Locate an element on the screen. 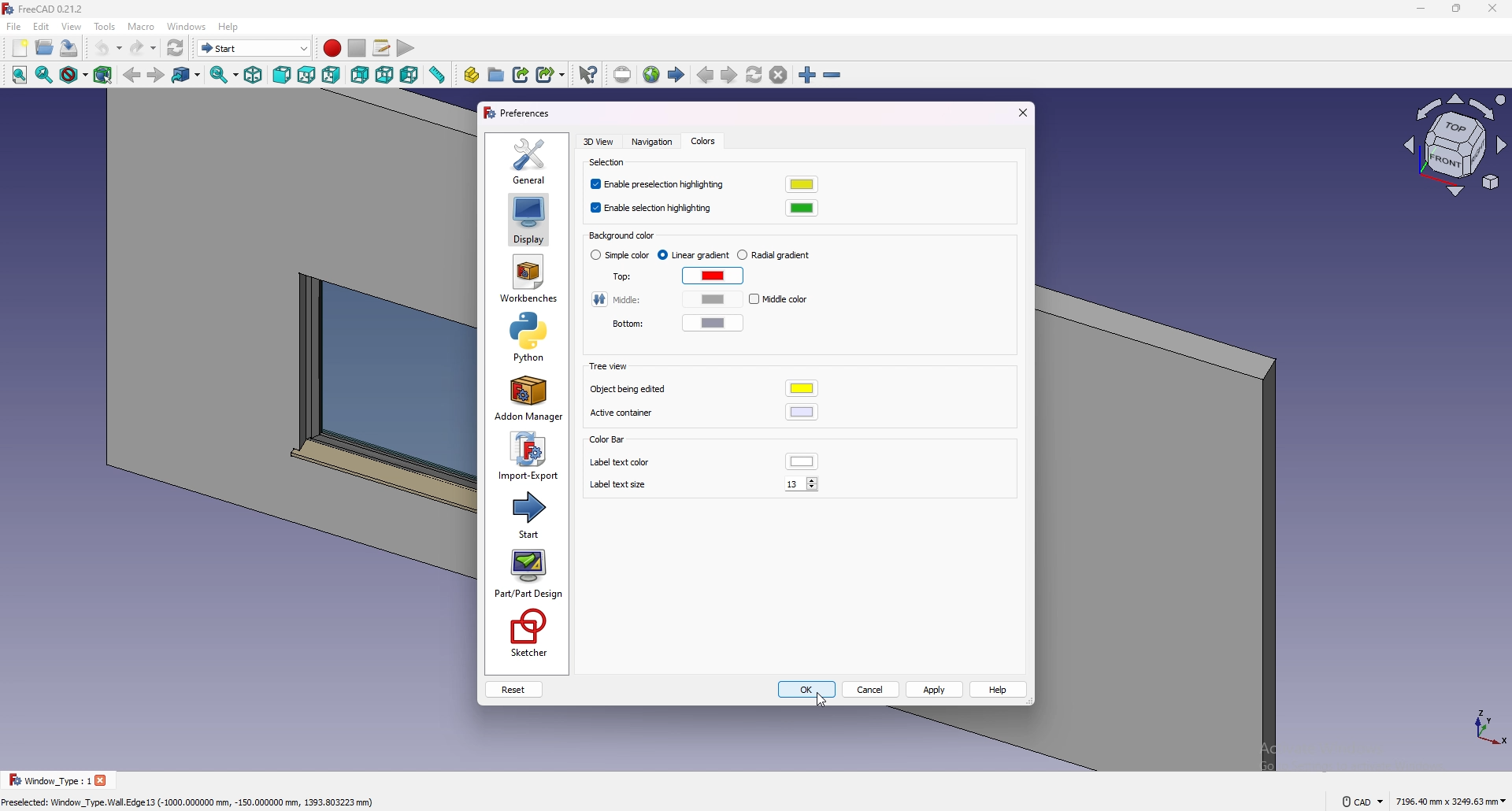 The image size is (1512, 811). object being edited color is located at coordinates (804, 389).